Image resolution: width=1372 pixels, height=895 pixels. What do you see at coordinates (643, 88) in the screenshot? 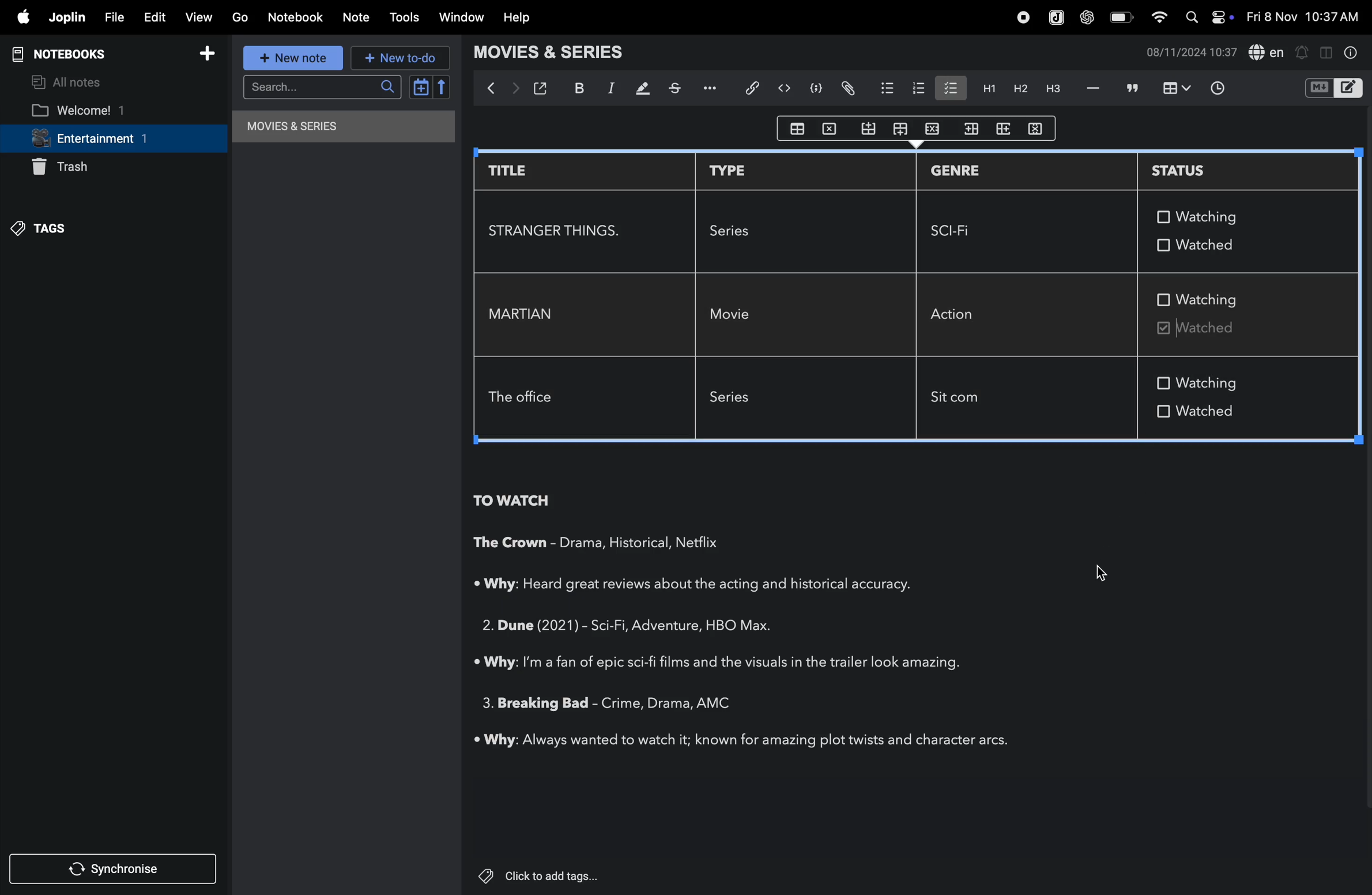
I see `highlight` at bounding box center [643, 88].